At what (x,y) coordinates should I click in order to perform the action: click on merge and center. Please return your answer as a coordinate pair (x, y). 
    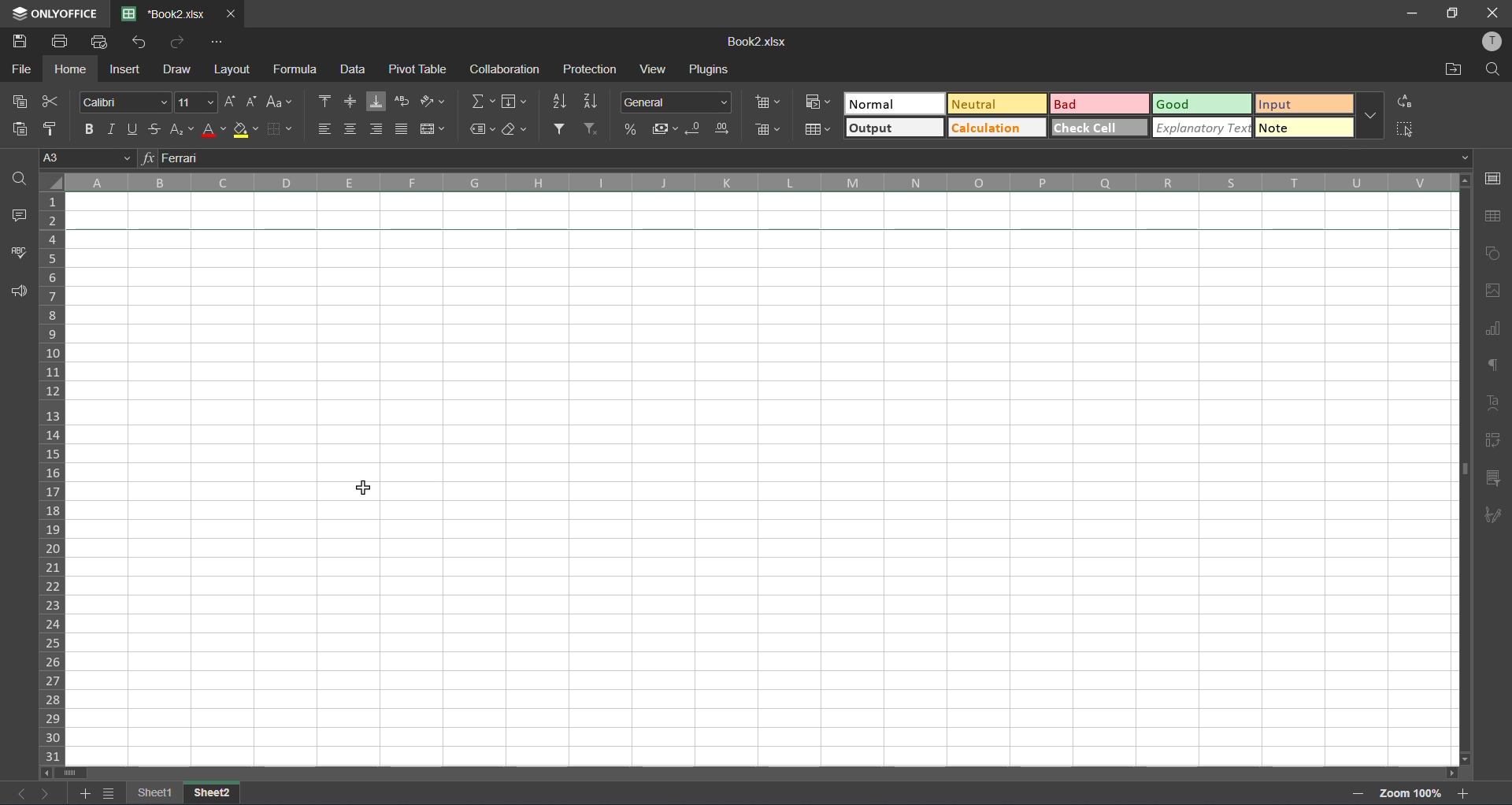
    Looking at the image, I should click on (432, 129).